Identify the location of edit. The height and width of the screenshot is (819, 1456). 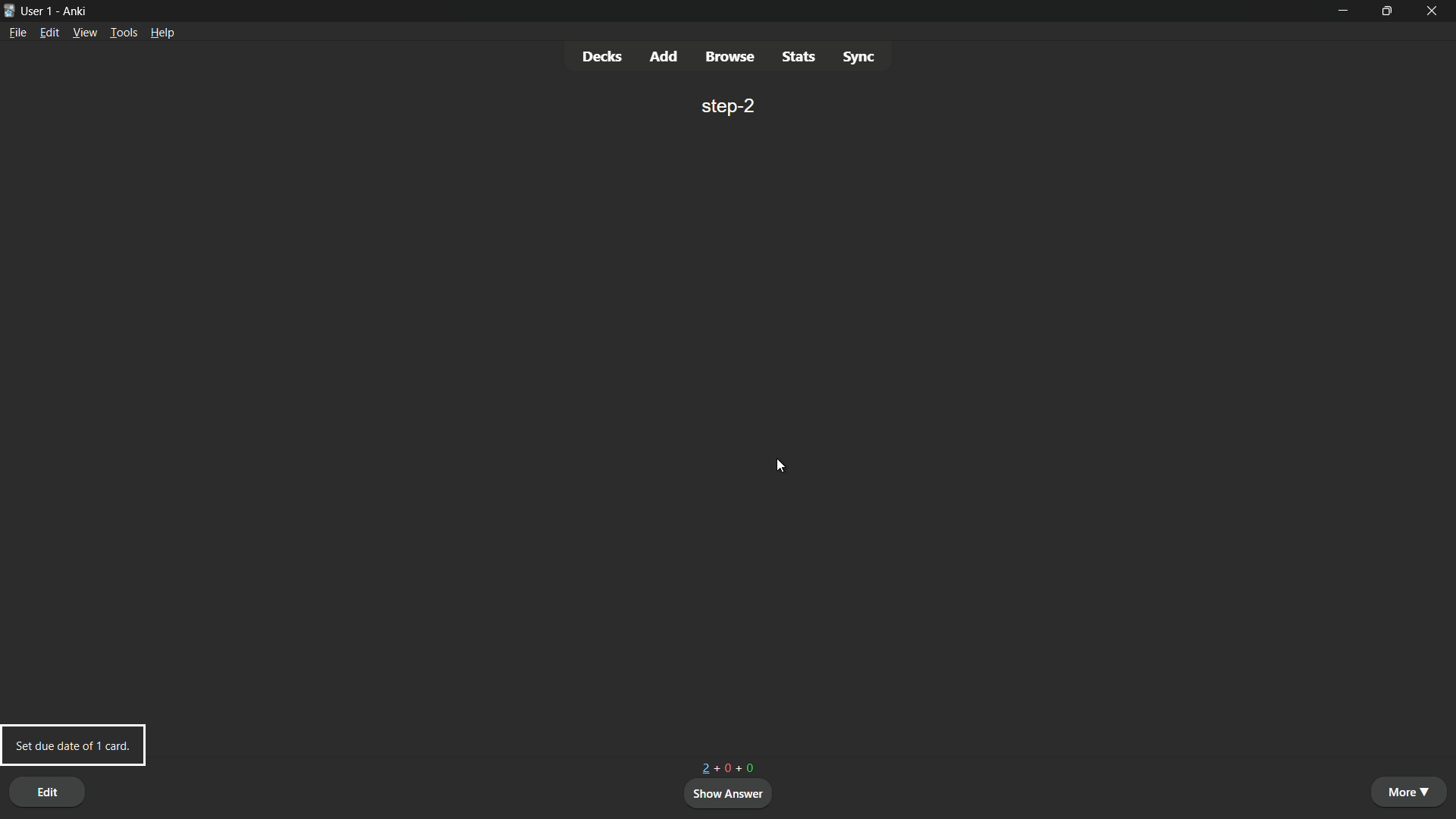
(47, 791).